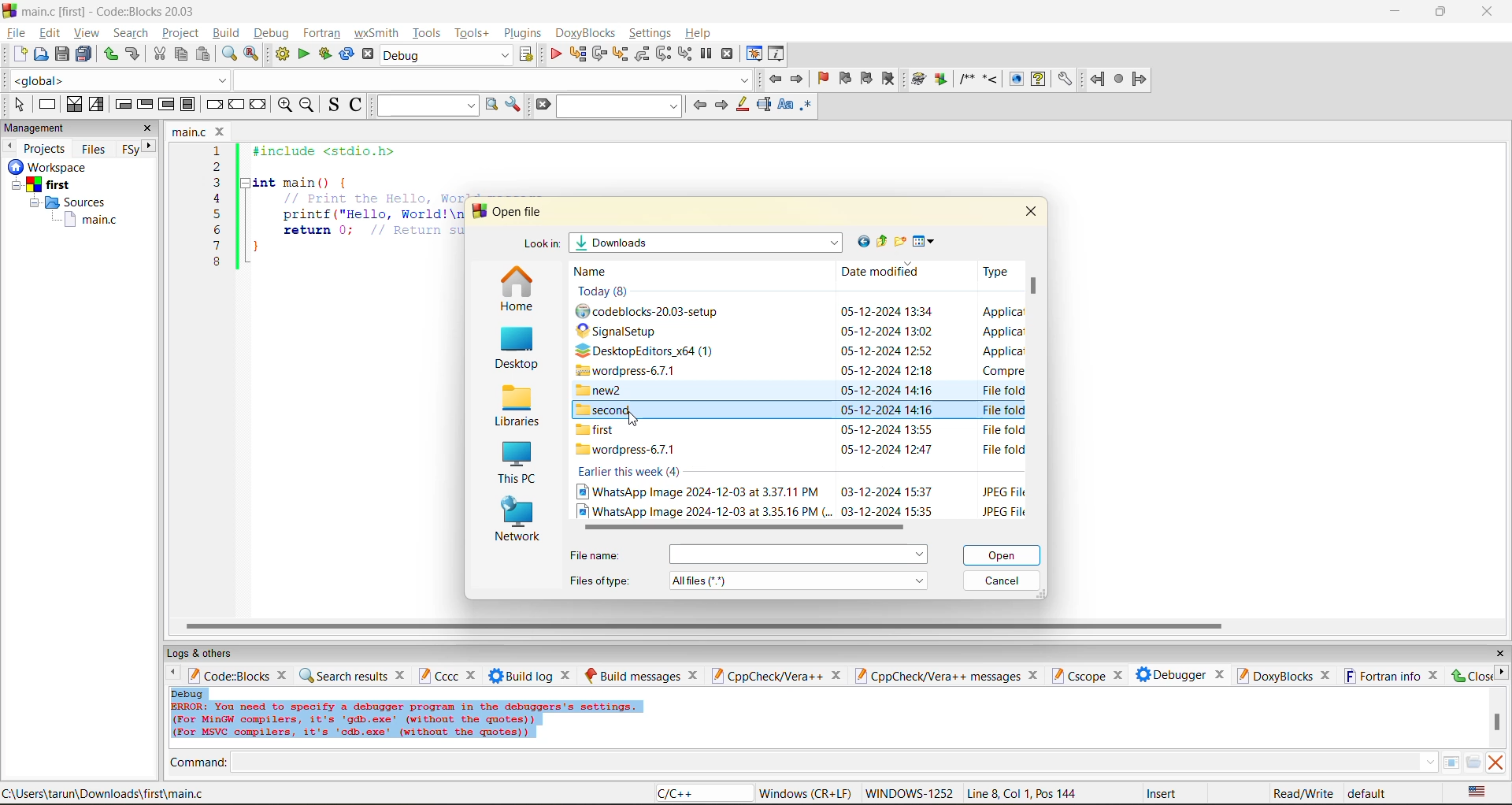 The width and height of the screenshot is (1512, 805). Describe the element at coordinates (885, 311) in the screenshot. I see `date and time` at that location.